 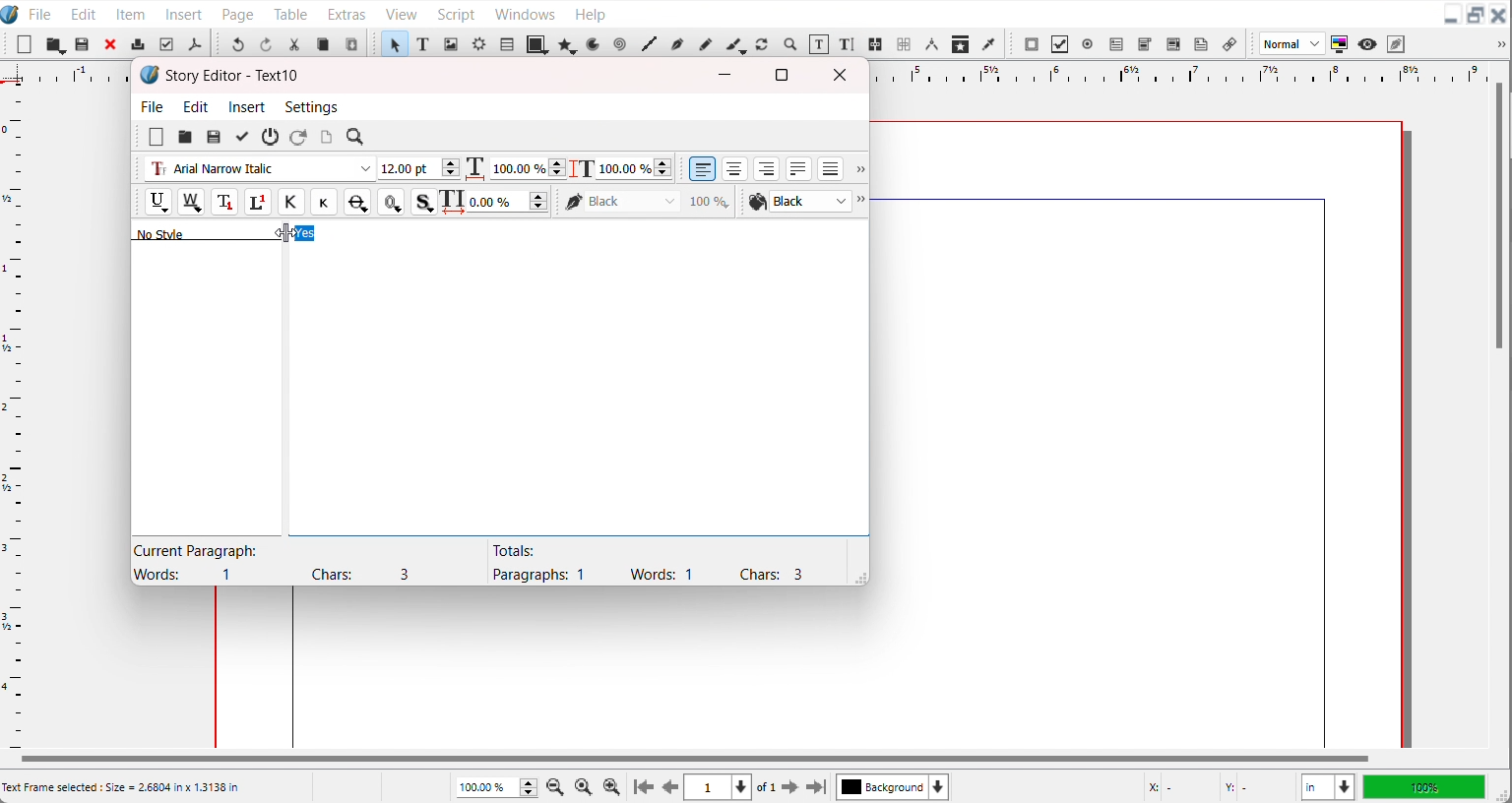 What do you see at coordinates (351, 43) in the screenshot?
I see `Paste` at bounding box center [351, 43].